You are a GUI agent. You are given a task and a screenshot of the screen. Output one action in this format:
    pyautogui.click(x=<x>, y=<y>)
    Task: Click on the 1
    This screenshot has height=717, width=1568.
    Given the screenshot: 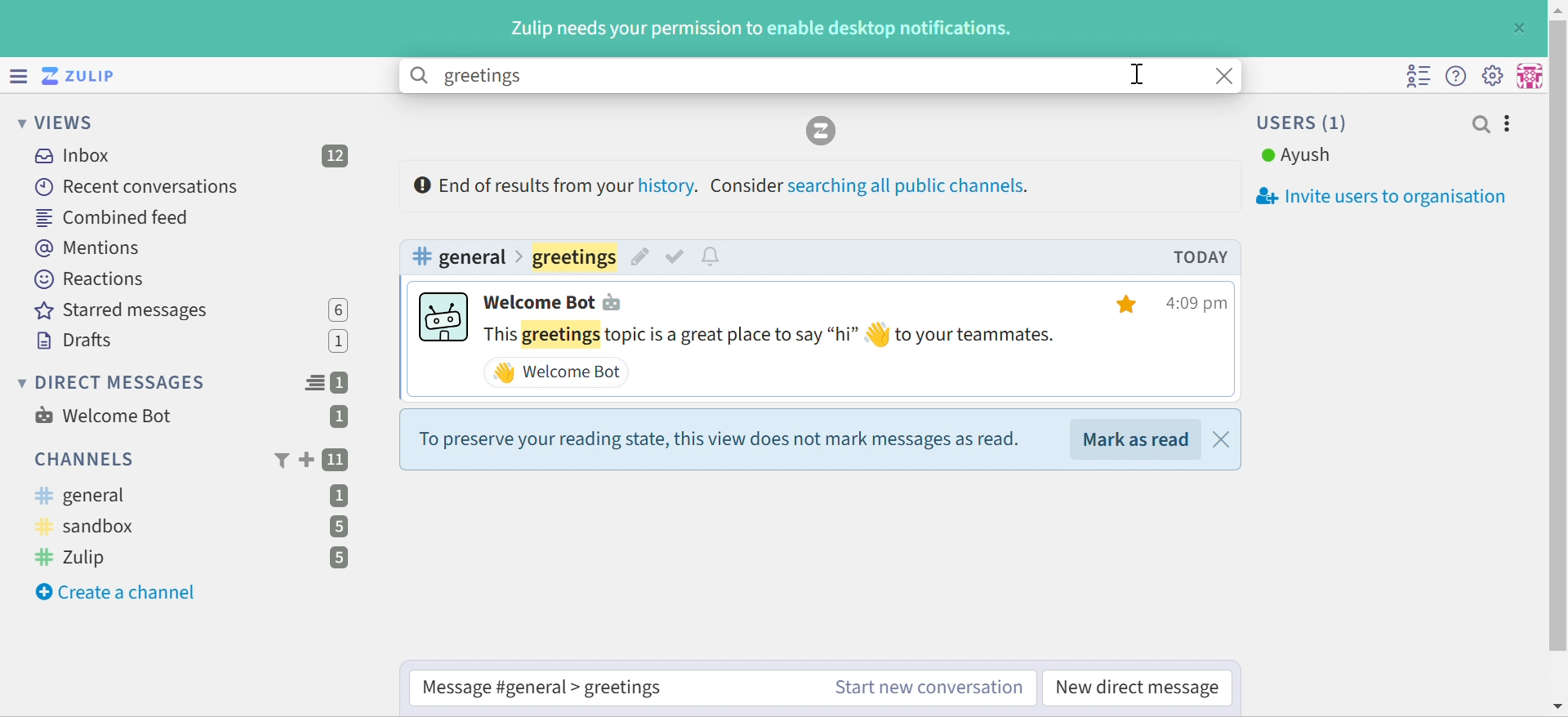 What is the action you would take?
    pyautogui.click(x=343, y=383)
    